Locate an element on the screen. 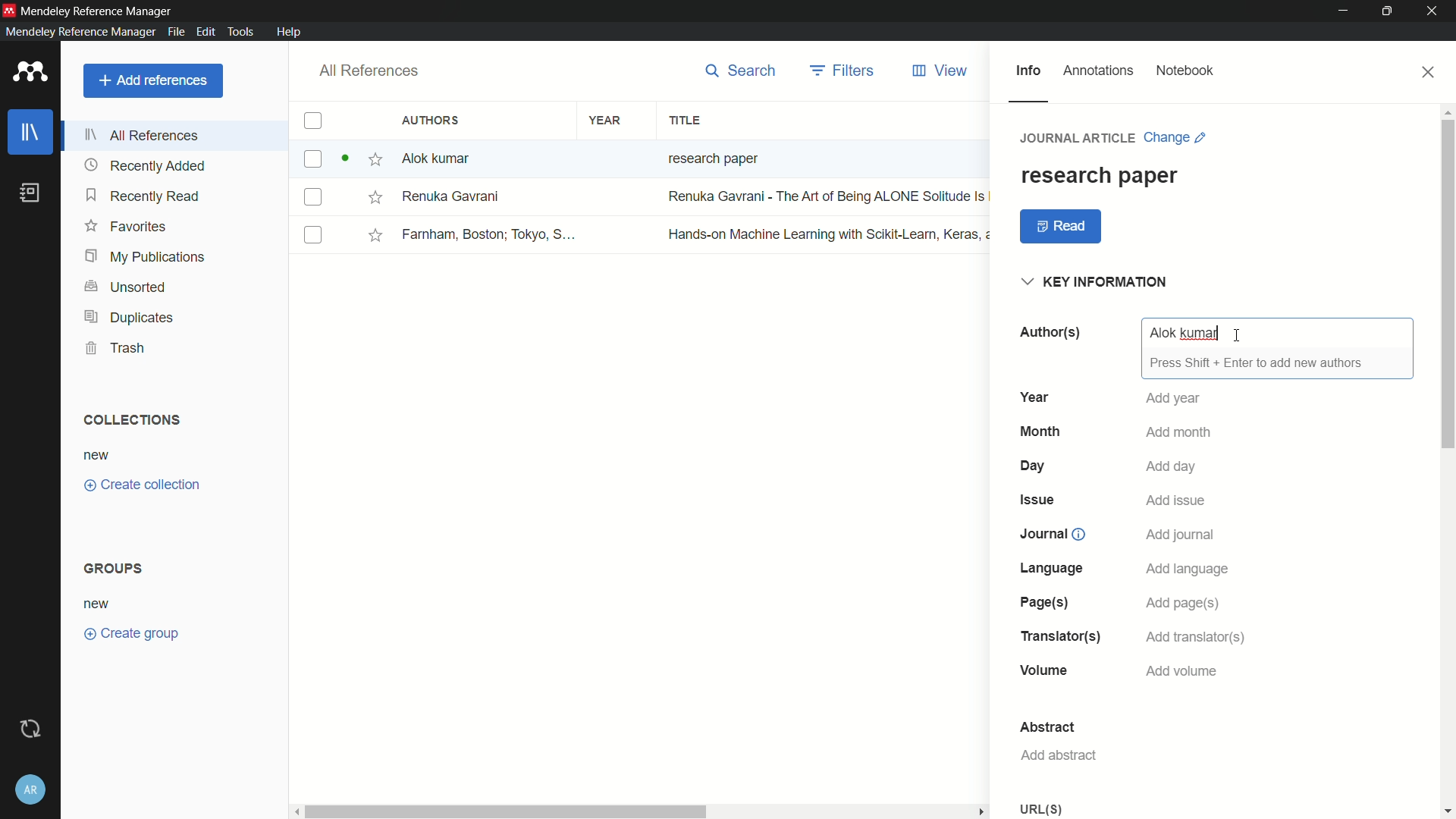  notebook is located at coordinates (1185, 71).